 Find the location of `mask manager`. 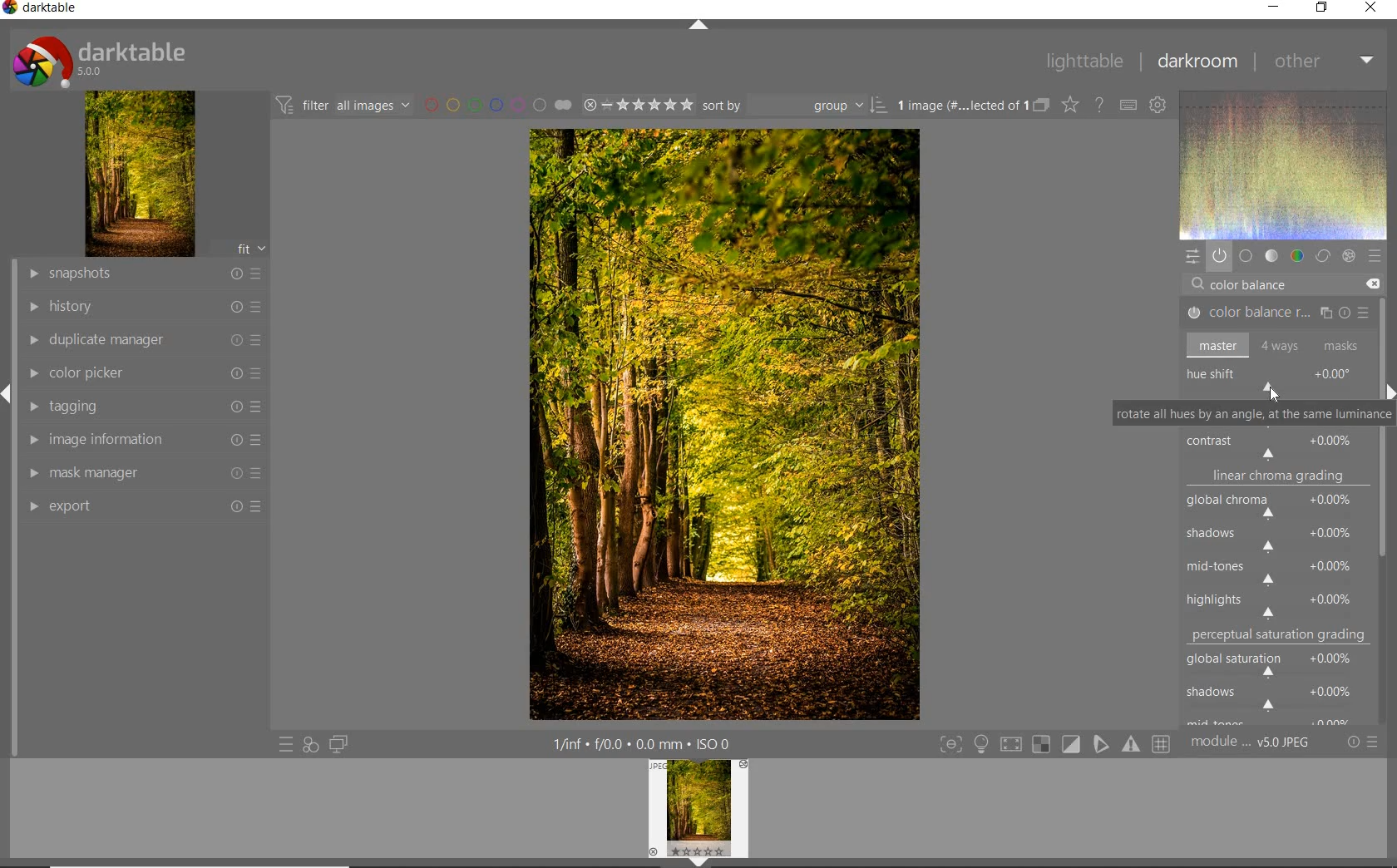

mask manager is located at coordinates (146, 473).